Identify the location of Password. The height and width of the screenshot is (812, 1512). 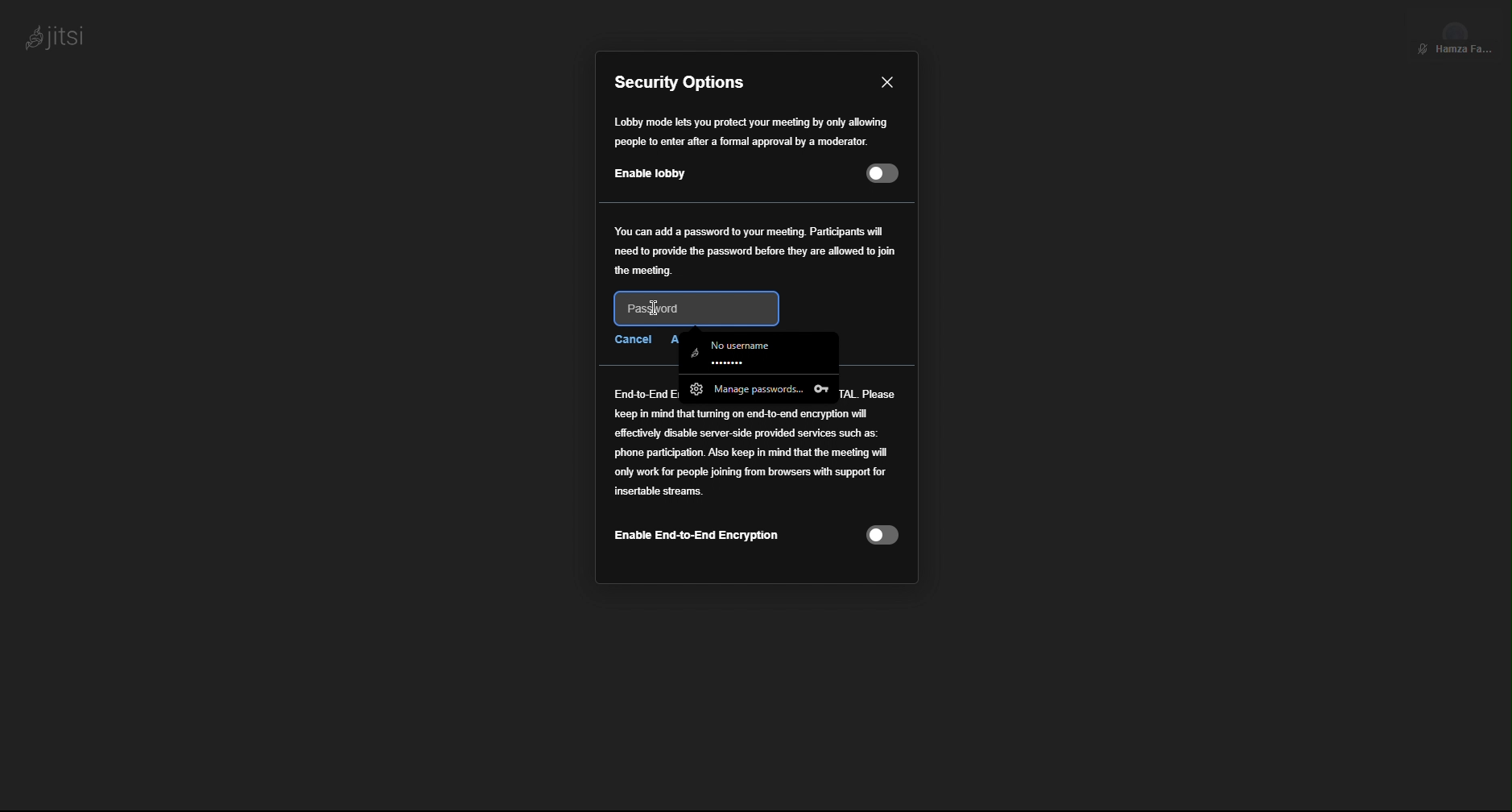
(694, 308).